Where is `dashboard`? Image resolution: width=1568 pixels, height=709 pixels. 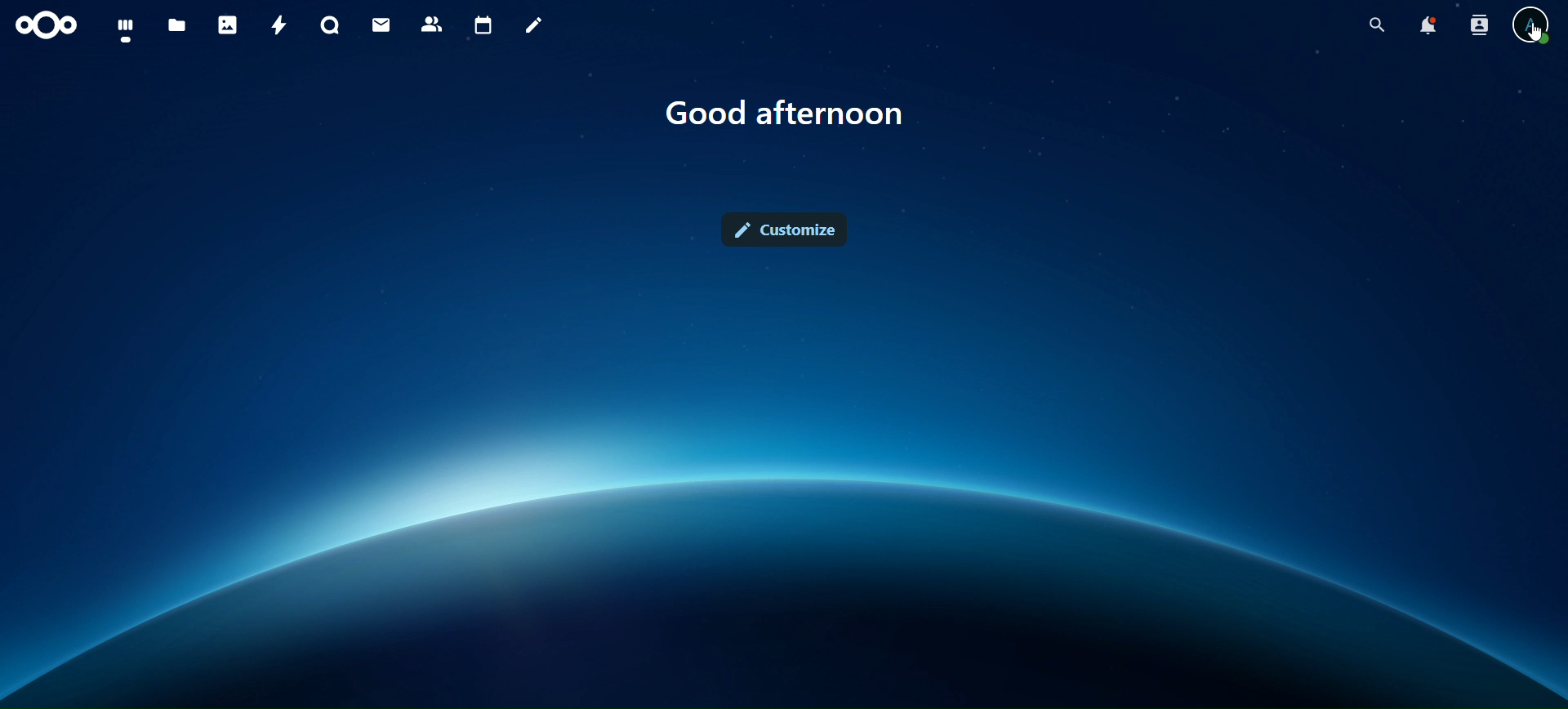 dashboard is located at coordinates (126, 30).